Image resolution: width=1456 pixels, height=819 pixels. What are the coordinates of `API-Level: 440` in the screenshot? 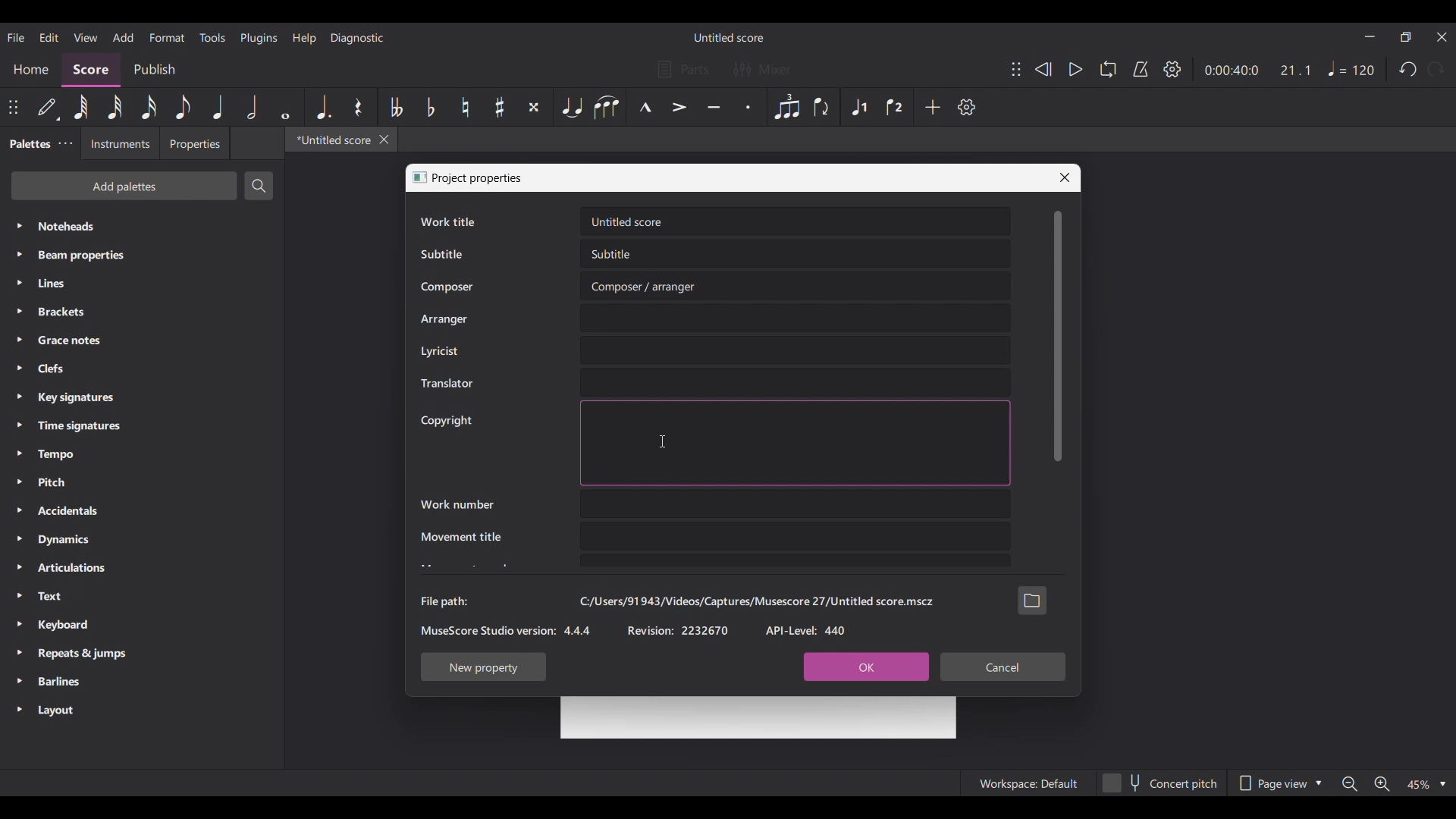 It's located at (807, 630).